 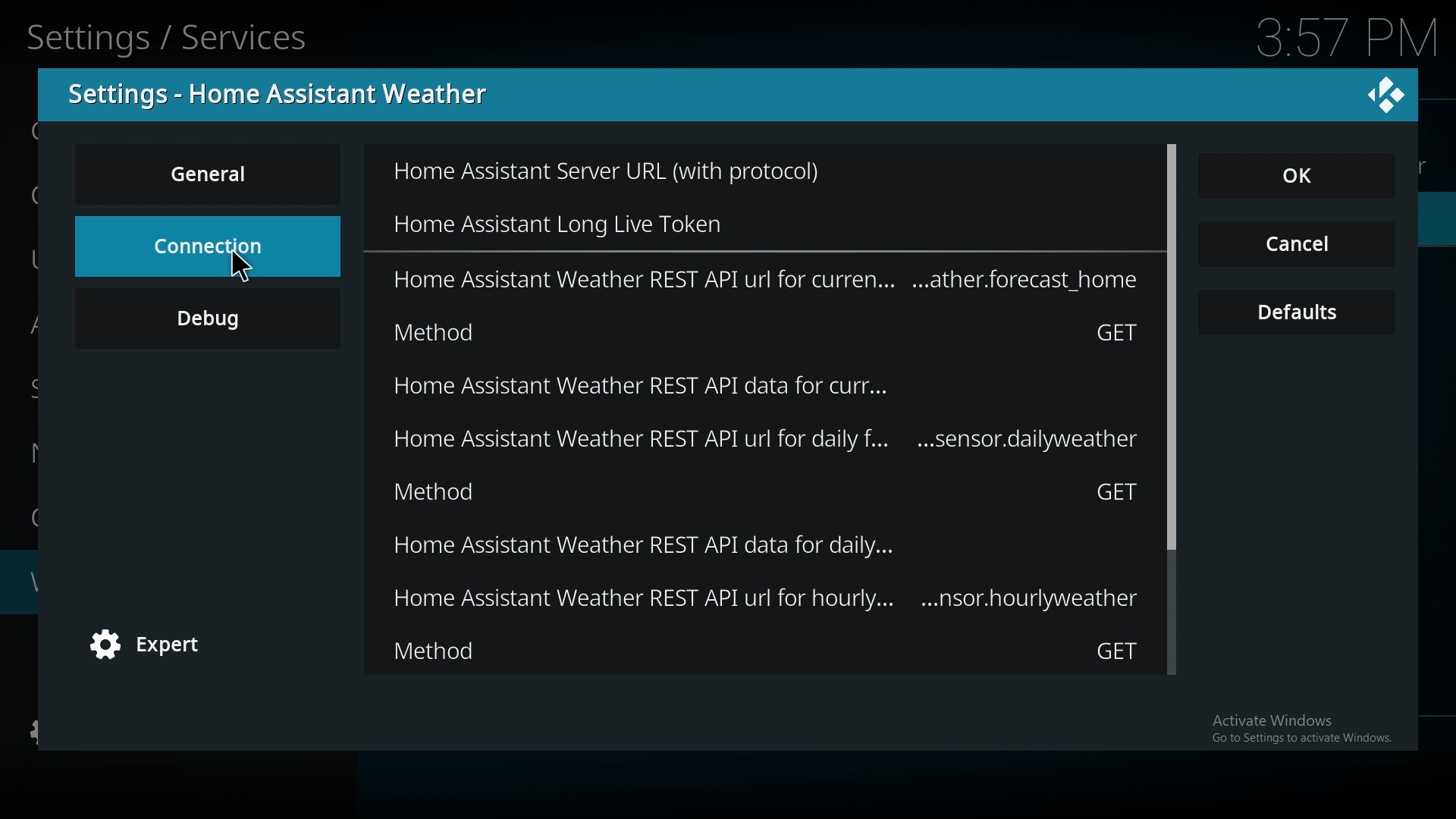 I want to click on method, so click(x=769, y=331).